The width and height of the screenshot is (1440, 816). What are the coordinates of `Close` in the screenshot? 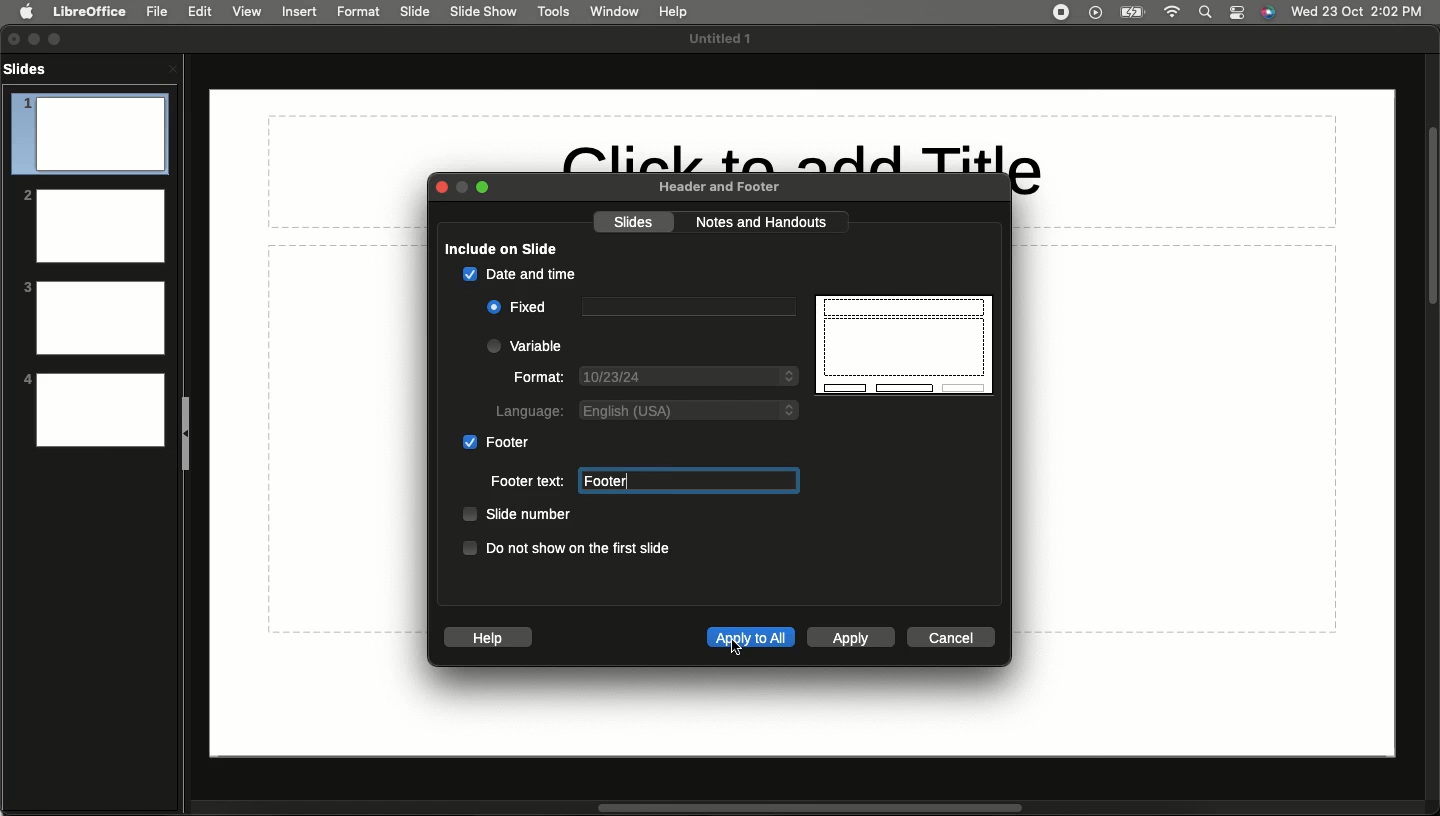 It's located at (14, 39).